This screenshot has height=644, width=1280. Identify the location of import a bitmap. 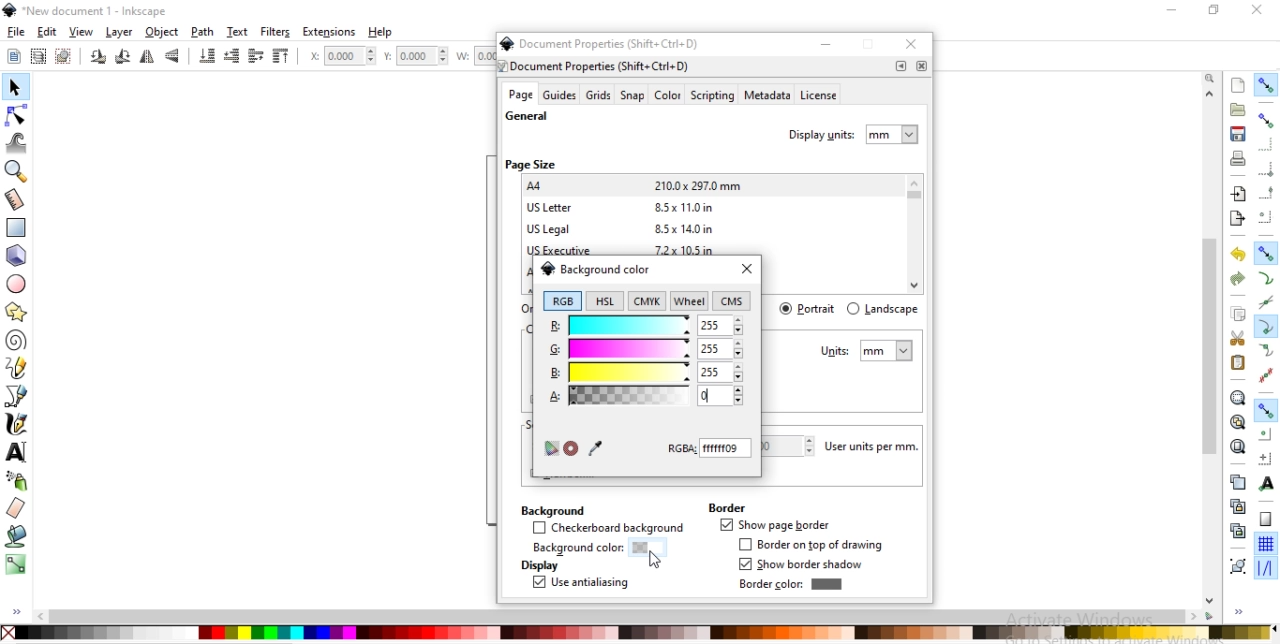
(1239, 194).